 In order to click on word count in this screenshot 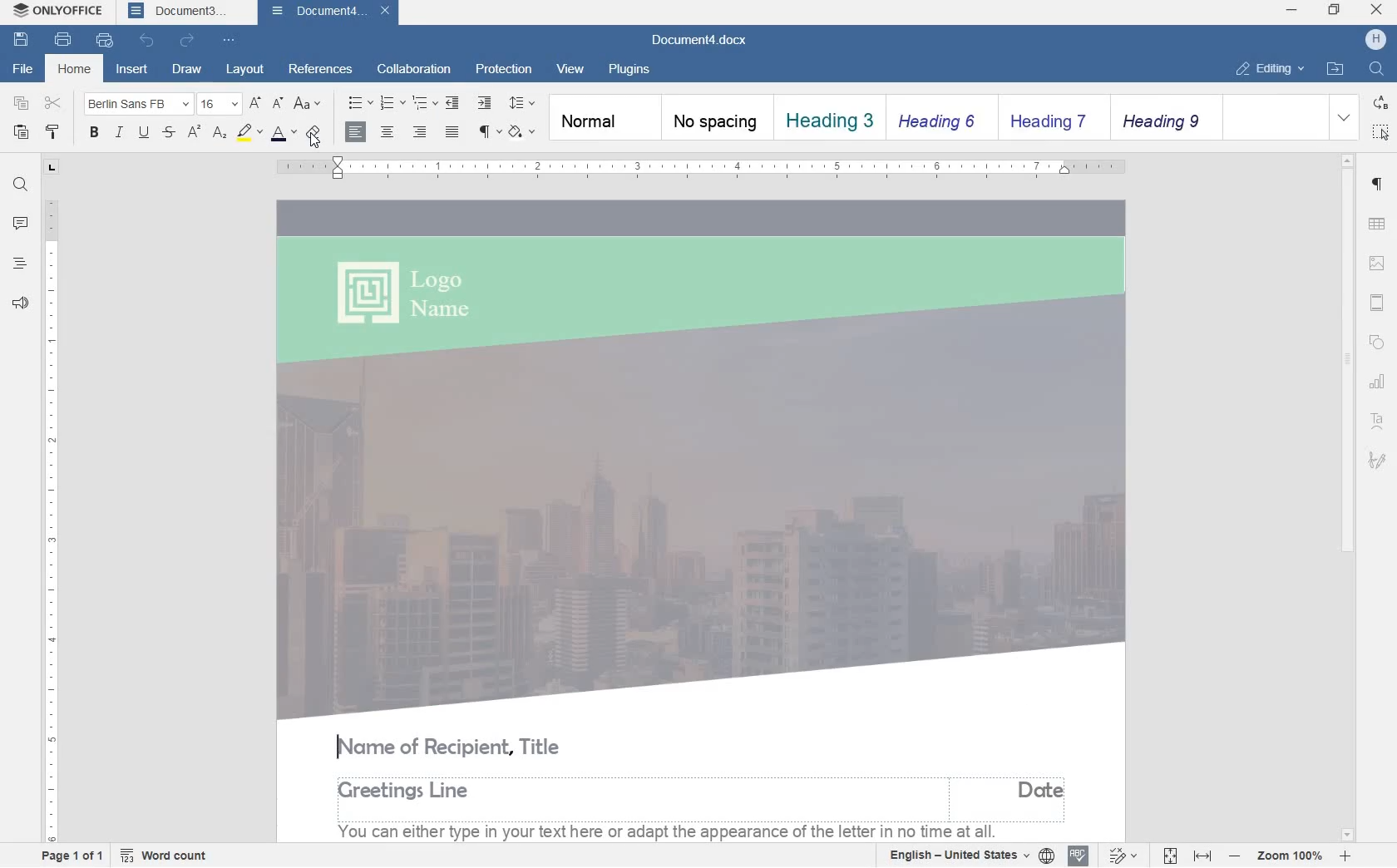, I will do `click(167, 854)`.